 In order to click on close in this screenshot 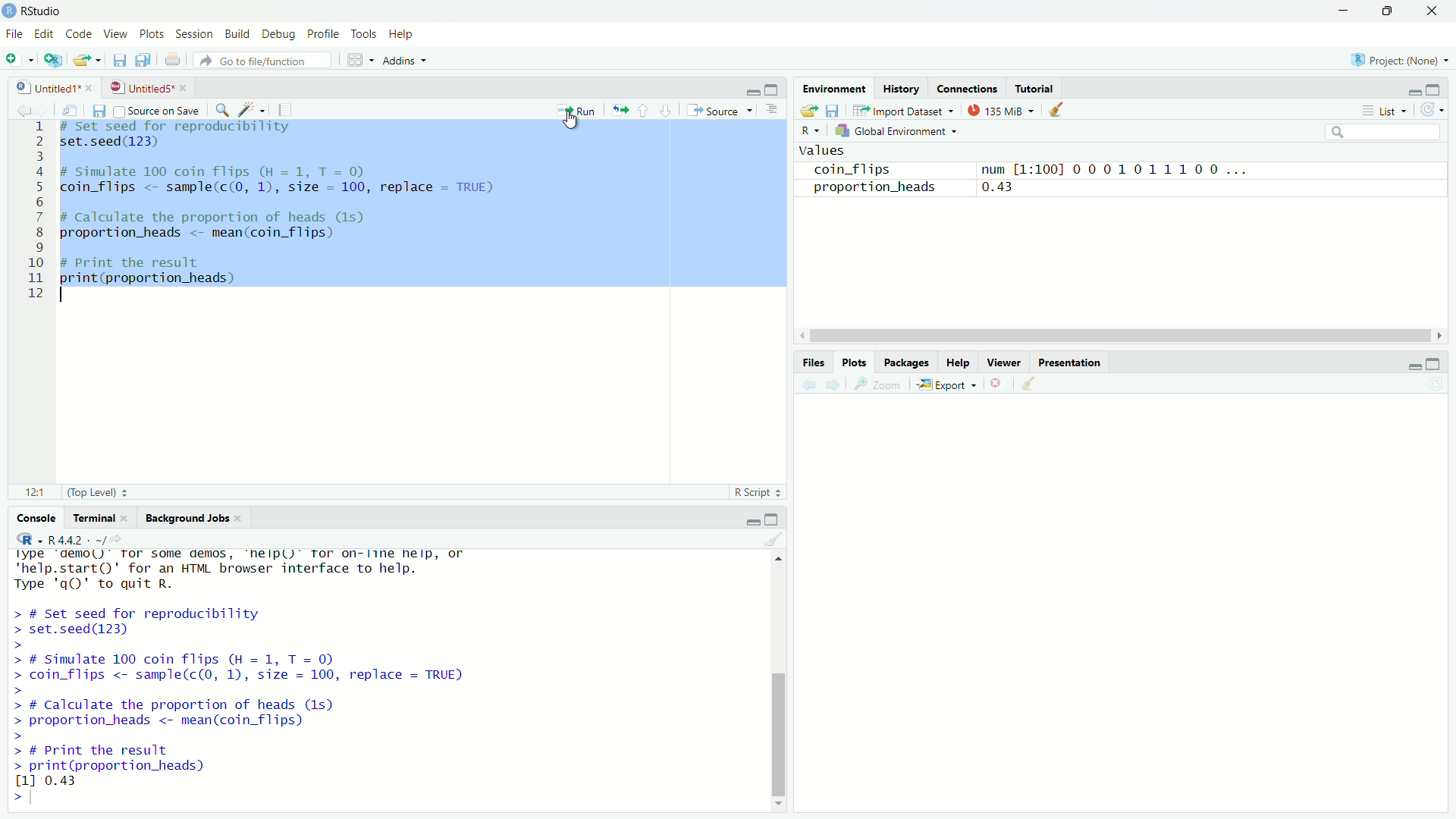, I will do `click(1434, 9)`.